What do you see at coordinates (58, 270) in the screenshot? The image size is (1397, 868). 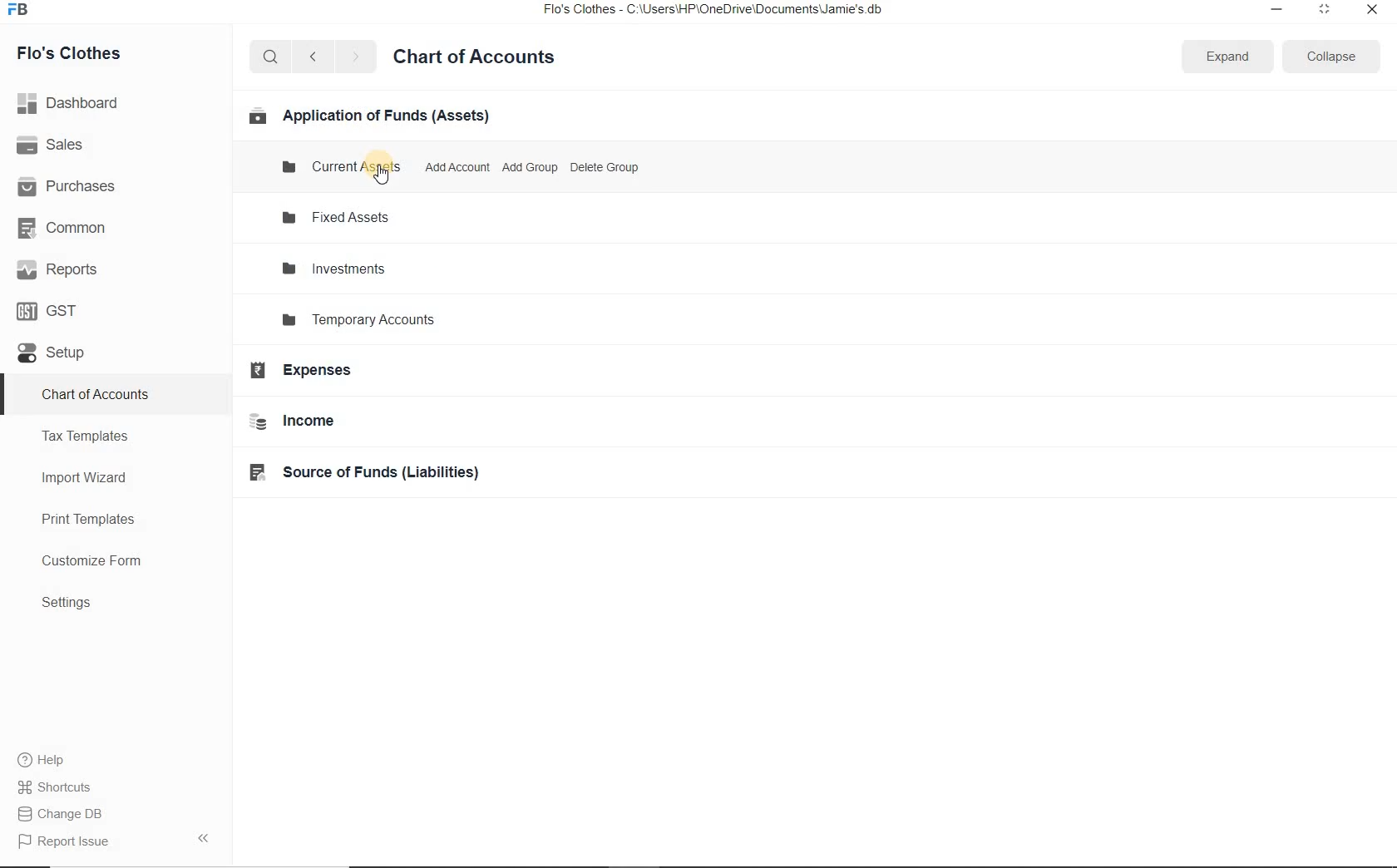 I see `Reports` at bounding box center [58, 270].